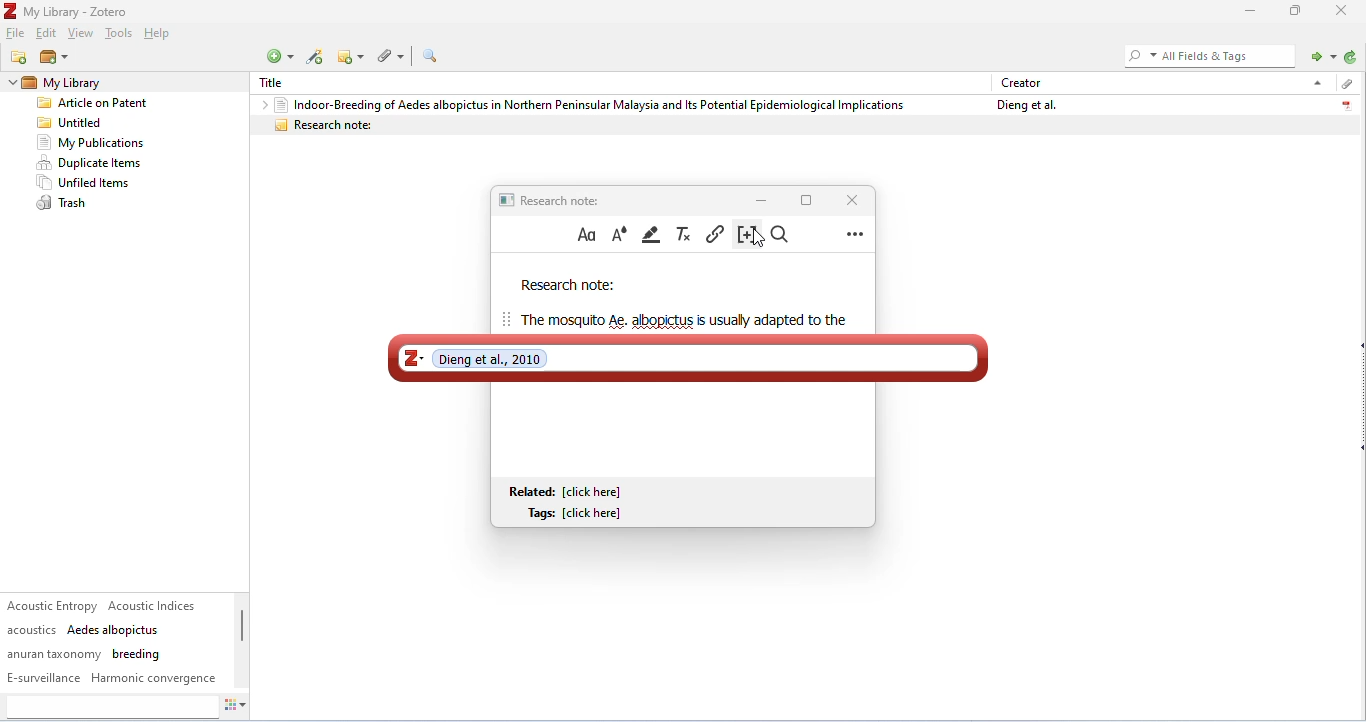 The width and height of the screenshot is (1366, 722). Describe the element at coordinates (316, 57) in the screenshot. I see `add item` at that location.